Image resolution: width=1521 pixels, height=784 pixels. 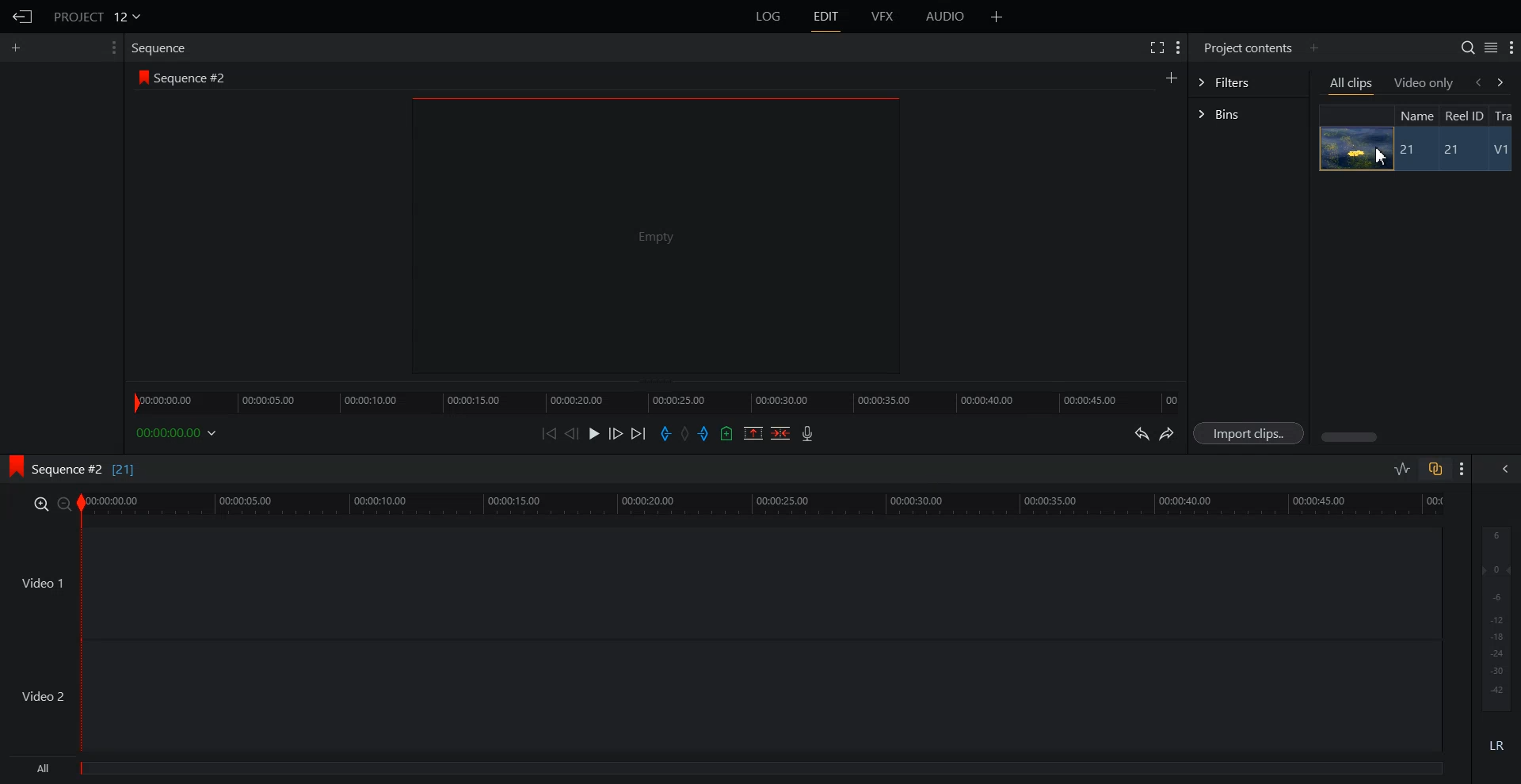 What do you see at coordinates (1386, 158) in the screenshot?
I see `Cursor` at bounding box center [1386, 158].